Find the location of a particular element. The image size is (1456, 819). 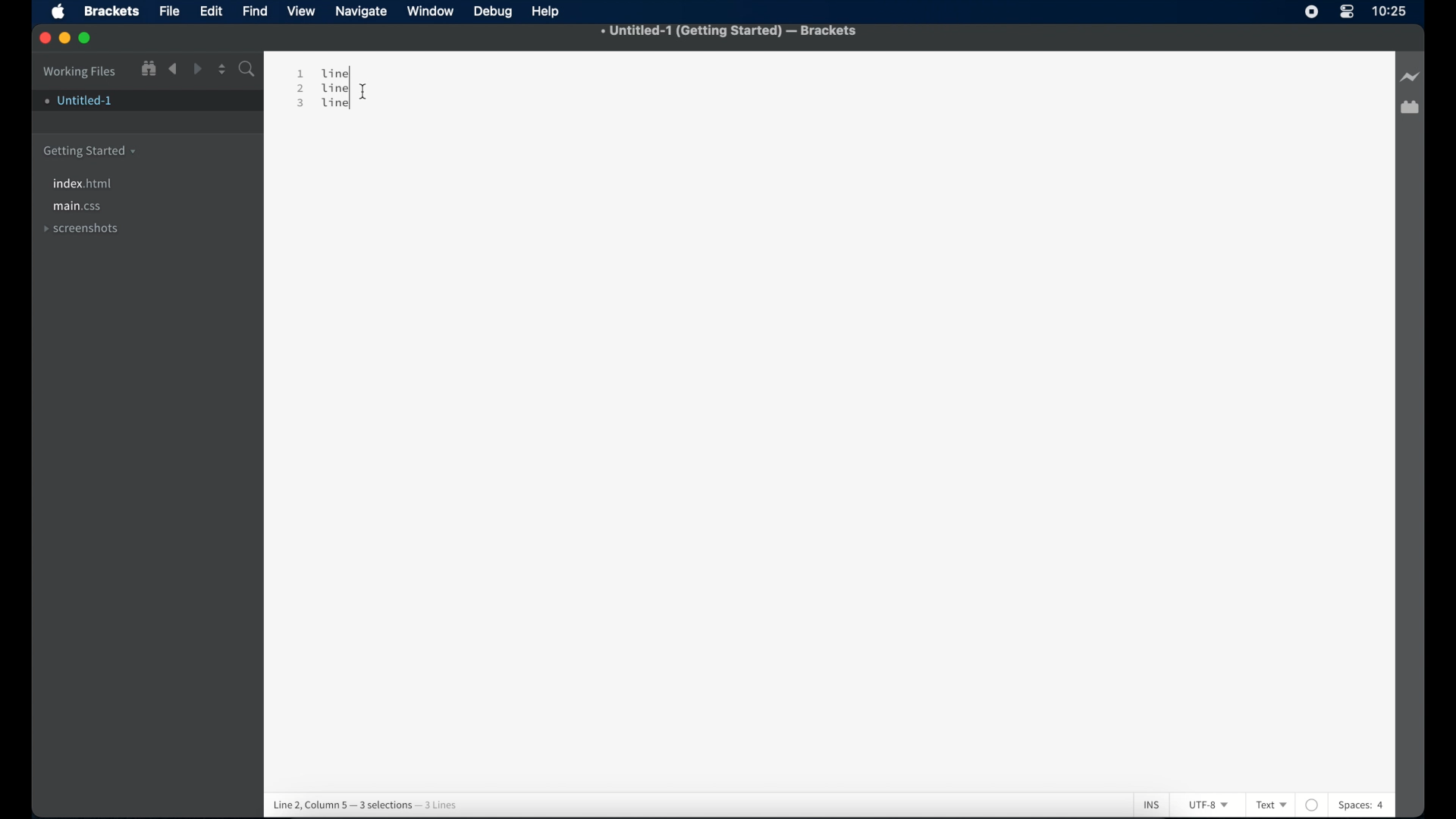

navigate backward is located at coordinates (174, 69).